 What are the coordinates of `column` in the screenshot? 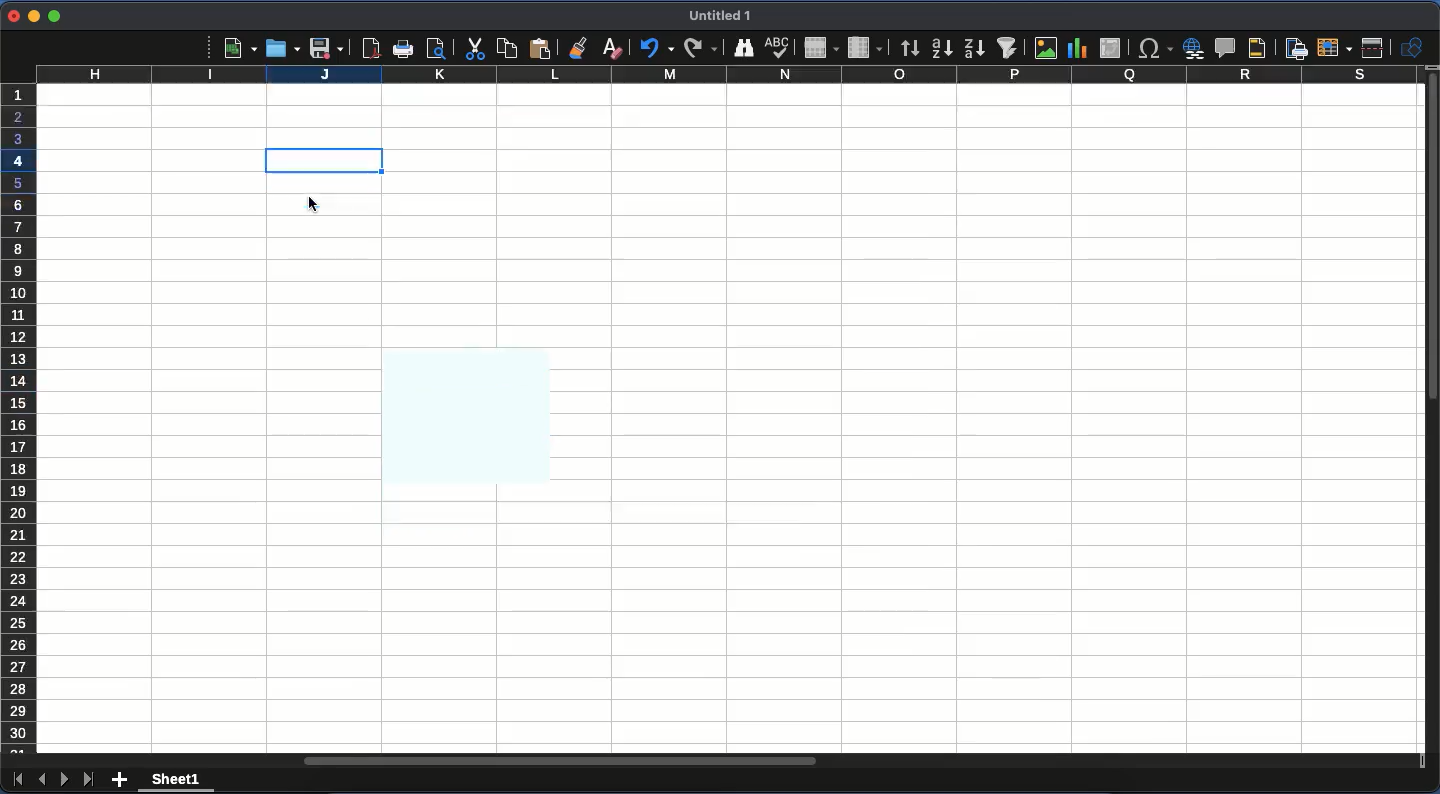 It's located at (725, 75).